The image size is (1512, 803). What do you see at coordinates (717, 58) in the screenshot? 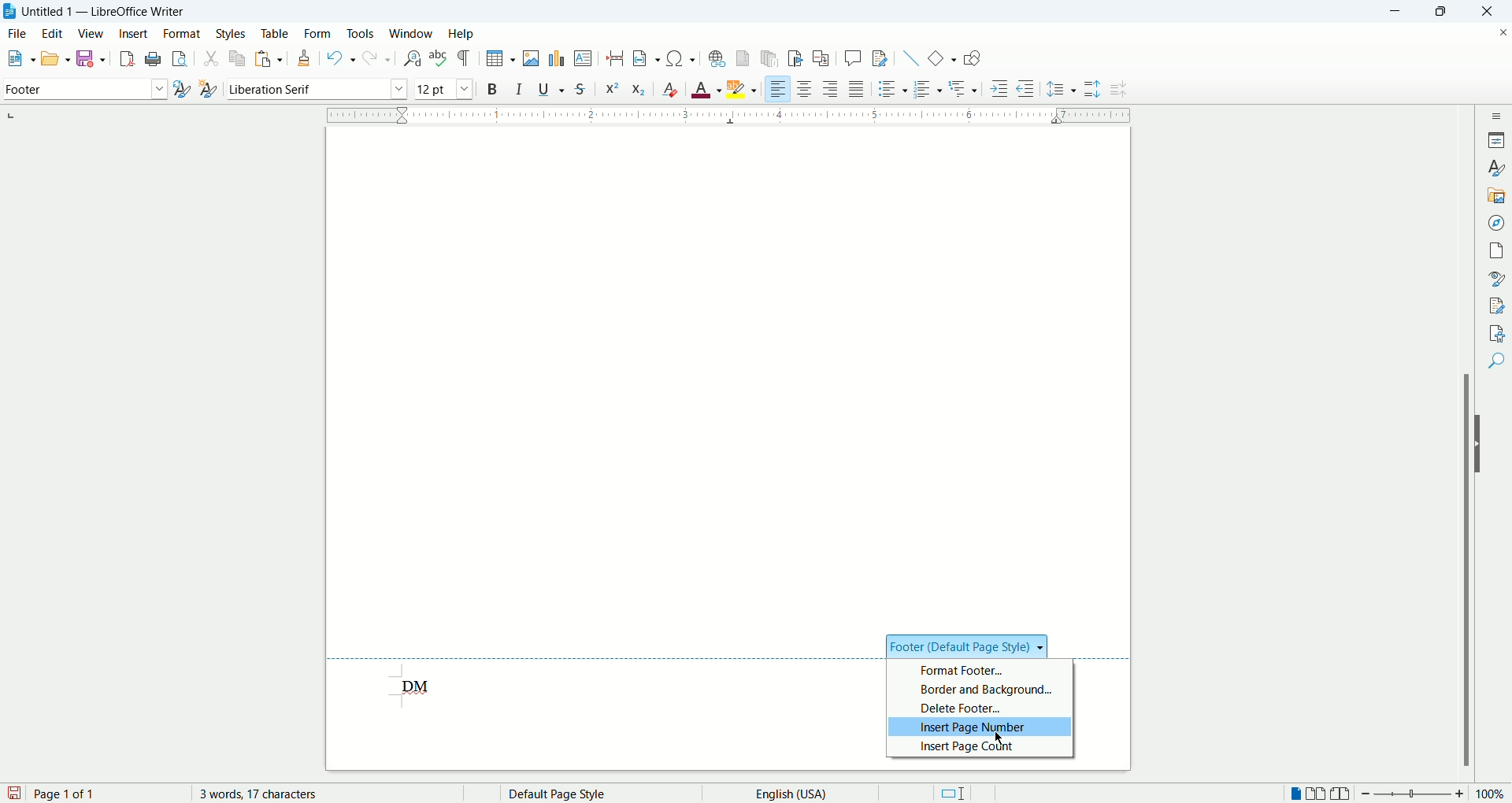
I see `hyperlink` at bounding box center [717, 58].